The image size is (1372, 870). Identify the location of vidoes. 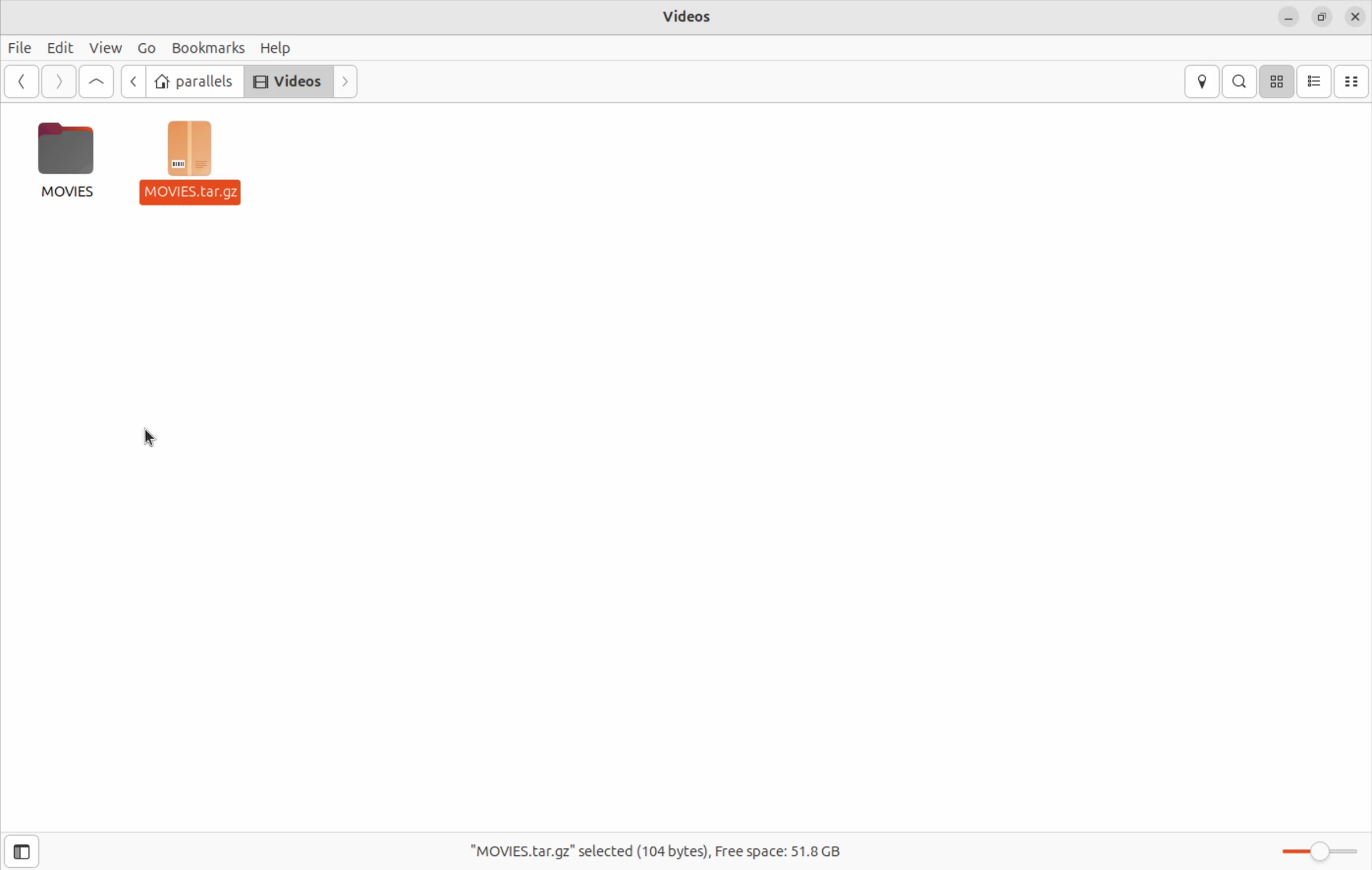
(690, 16).